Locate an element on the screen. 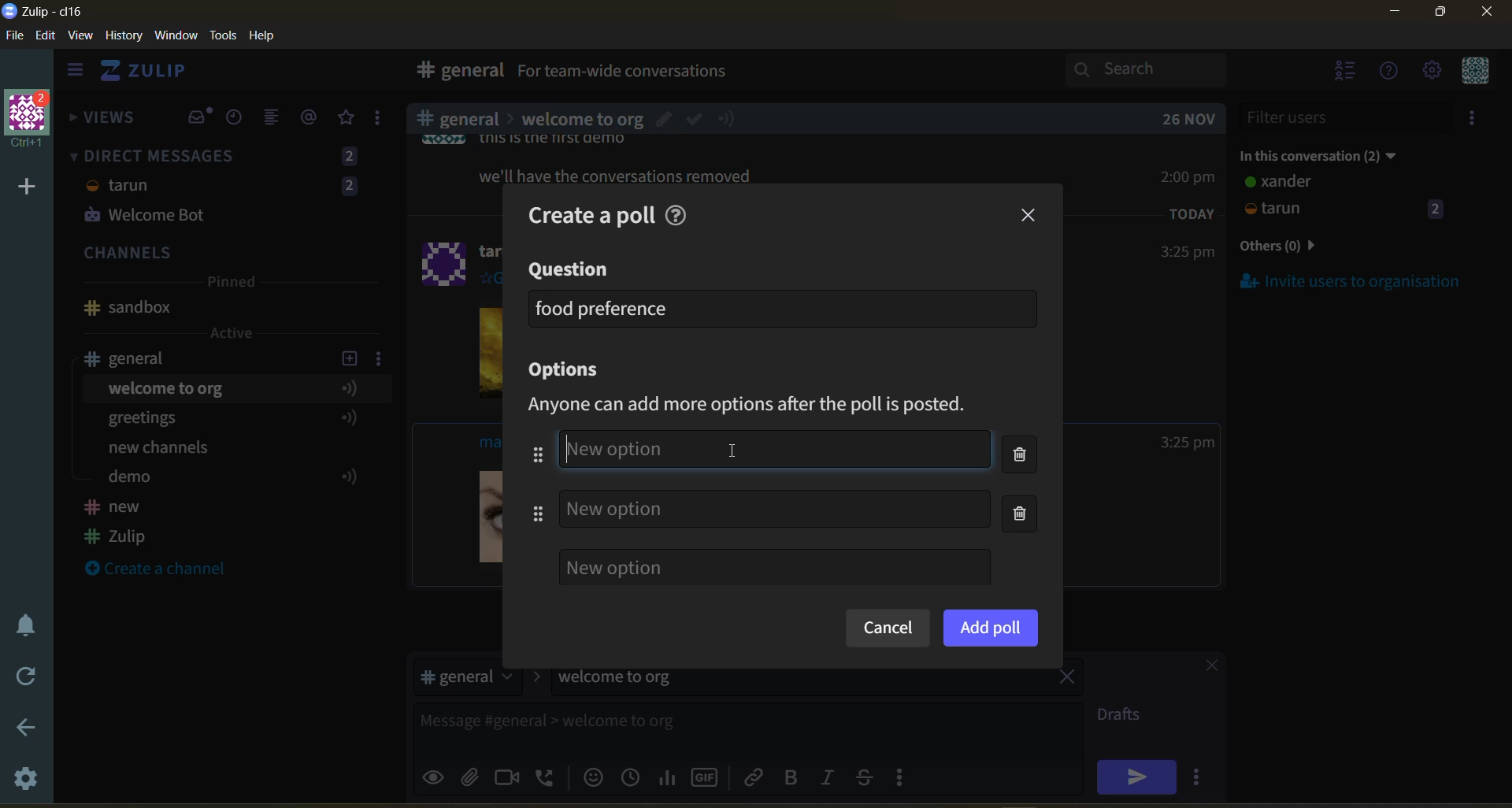   is located at coordinates (582, 116).